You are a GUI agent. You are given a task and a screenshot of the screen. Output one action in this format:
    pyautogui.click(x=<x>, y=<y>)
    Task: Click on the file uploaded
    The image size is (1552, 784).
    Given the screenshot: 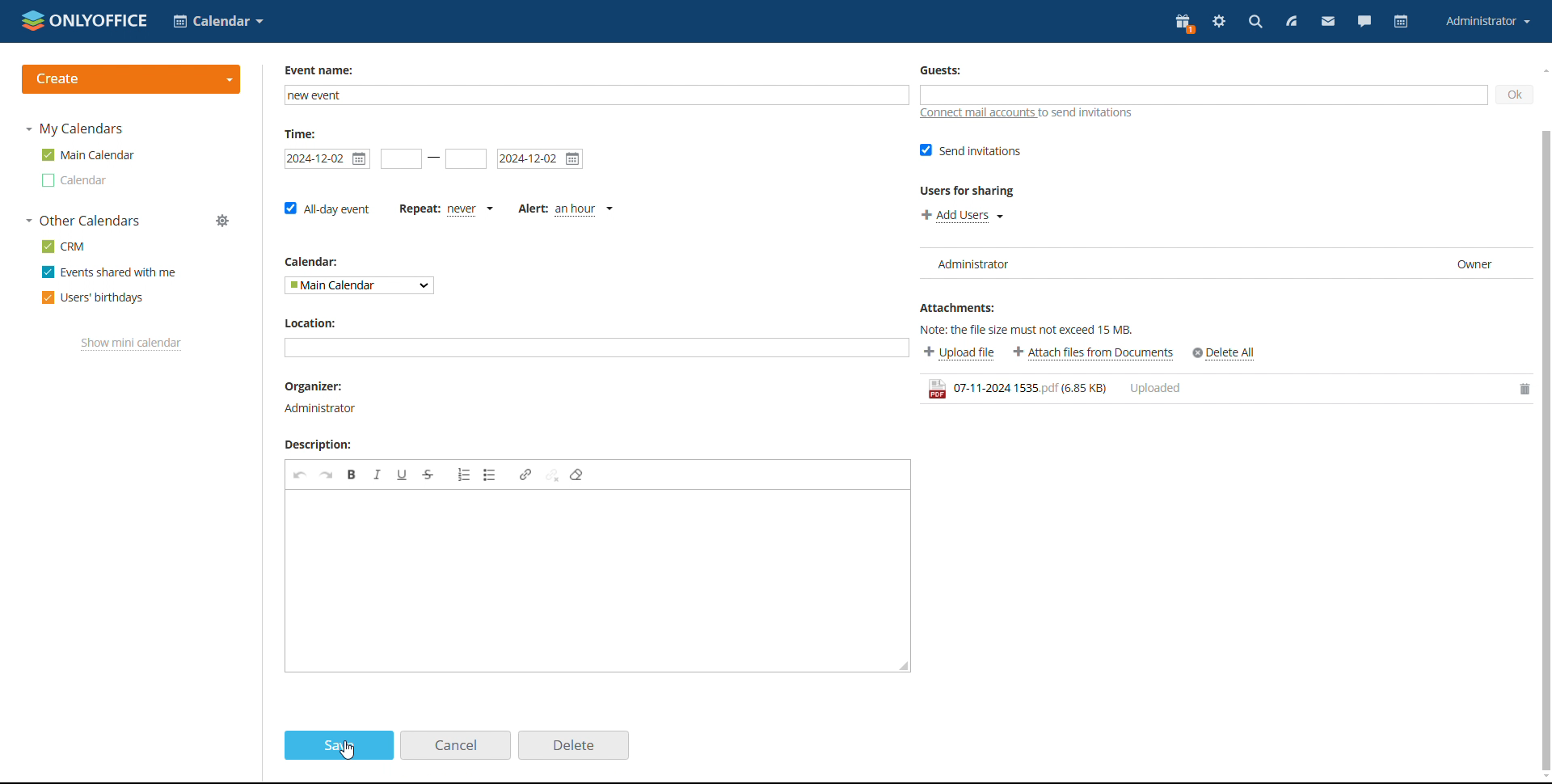 What is the action you would take?
    pyautogui.click(x=1211, y=388)
    